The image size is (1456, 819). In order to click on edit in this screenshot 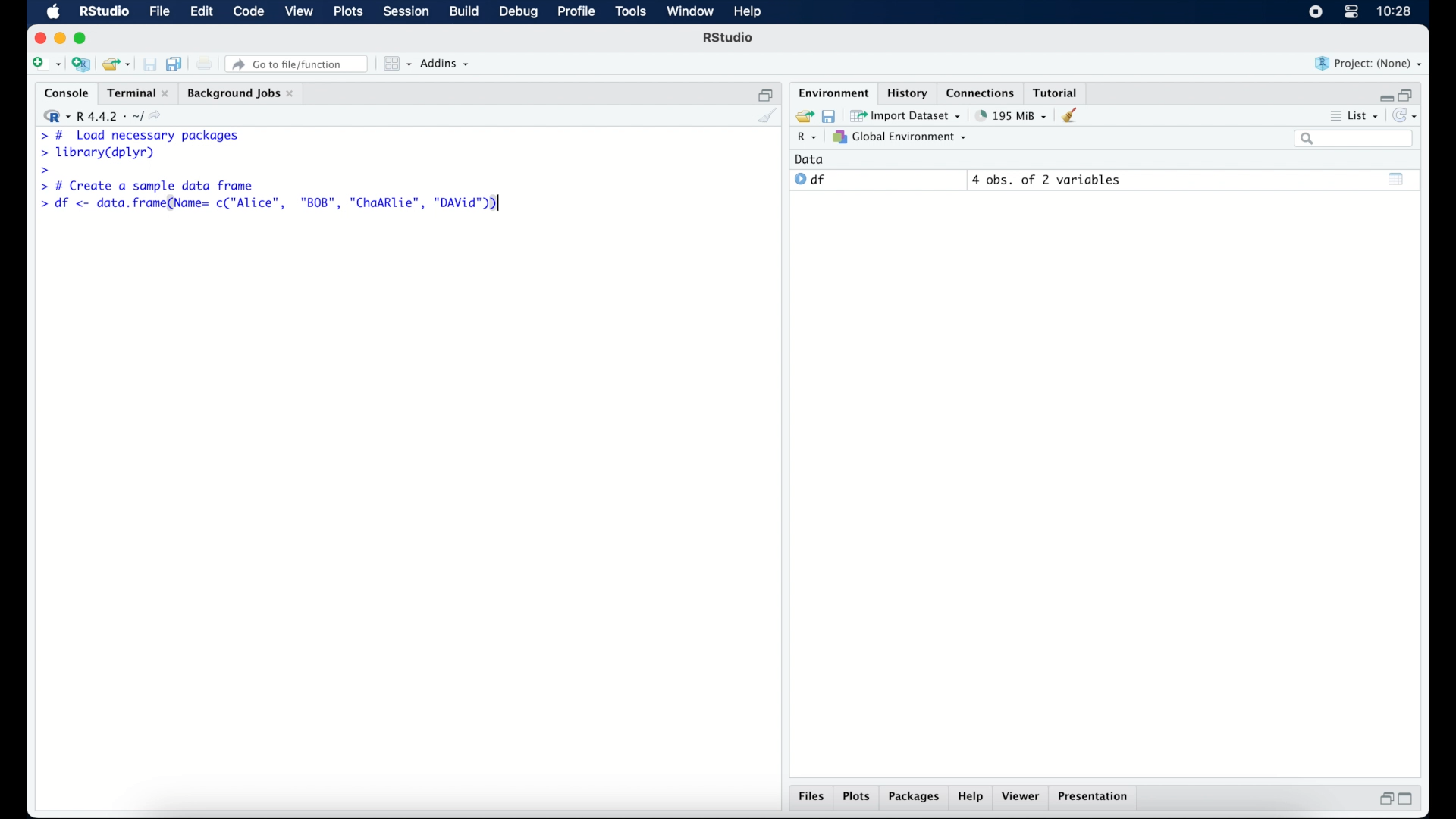, I will do `click(200, 12)`.